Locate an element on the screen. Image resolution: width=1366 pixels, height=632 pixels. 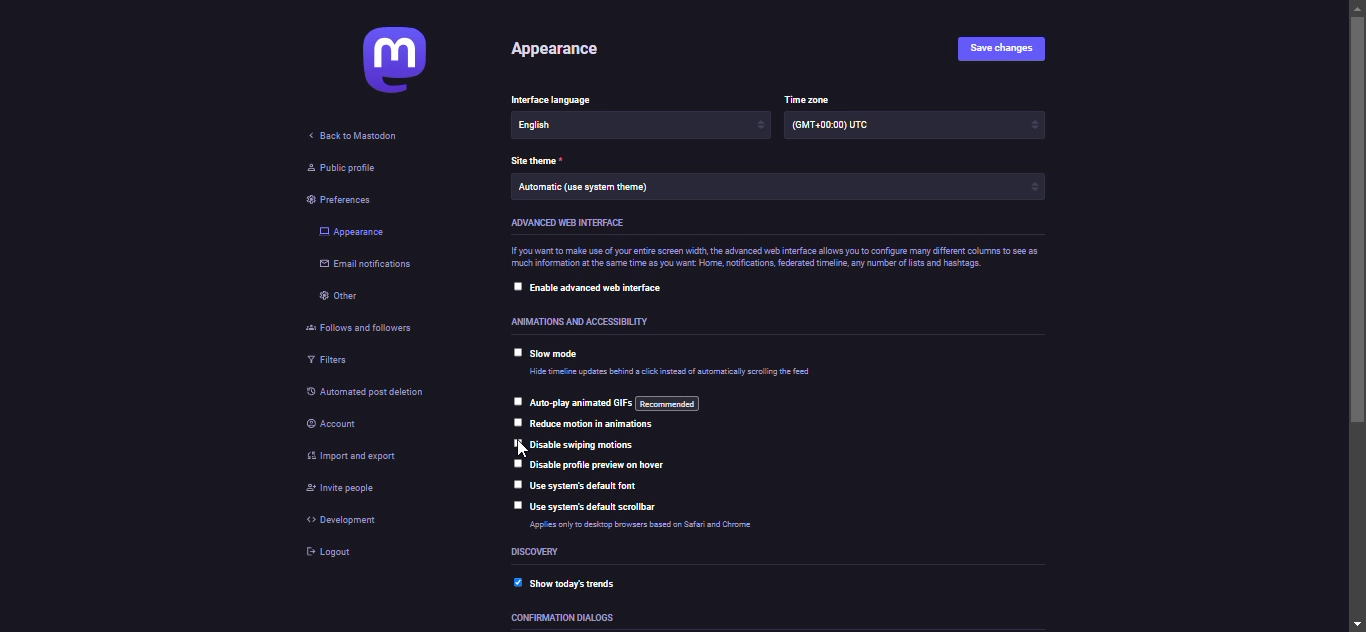
reduce motion in animations is located at coordinates (593, 427).